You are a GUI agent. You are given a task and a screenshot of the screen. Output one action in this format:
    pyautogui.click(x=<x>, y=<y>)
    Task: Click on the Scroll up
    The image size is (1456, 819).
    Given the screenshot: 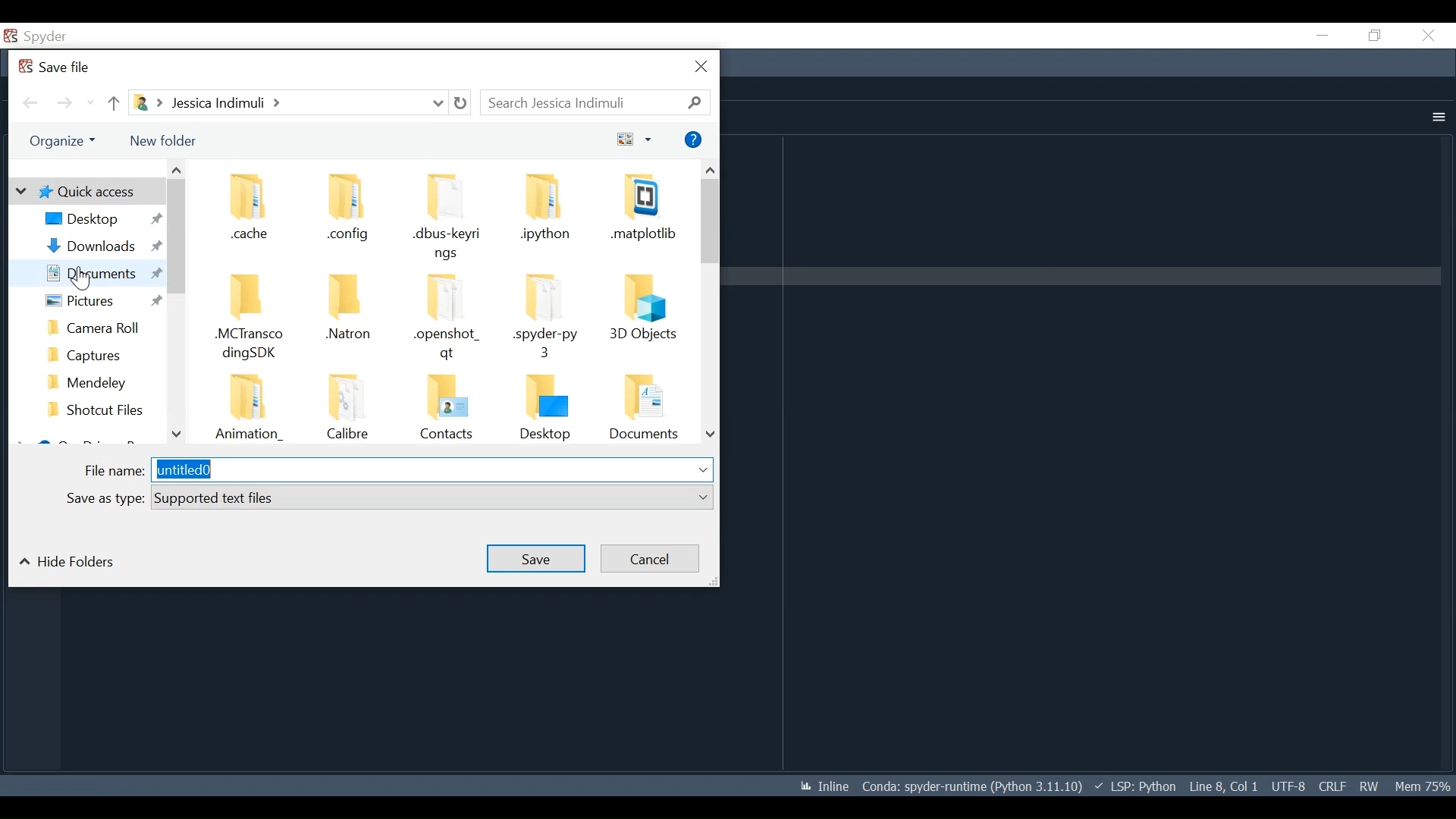 What is the action you would take?
    pyautogui.click(x=709, y=169)
    